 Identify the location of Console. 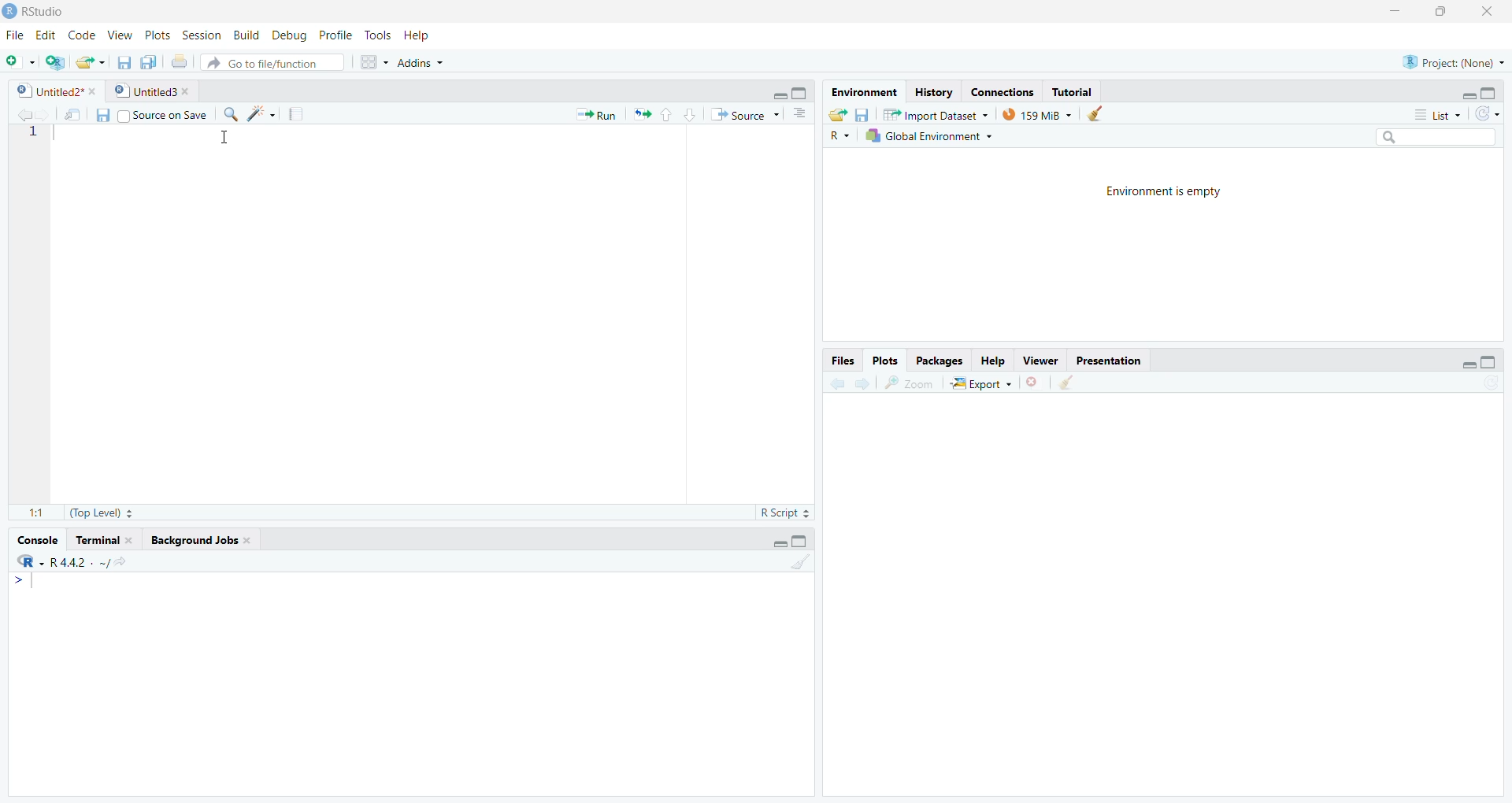
(37, 539).